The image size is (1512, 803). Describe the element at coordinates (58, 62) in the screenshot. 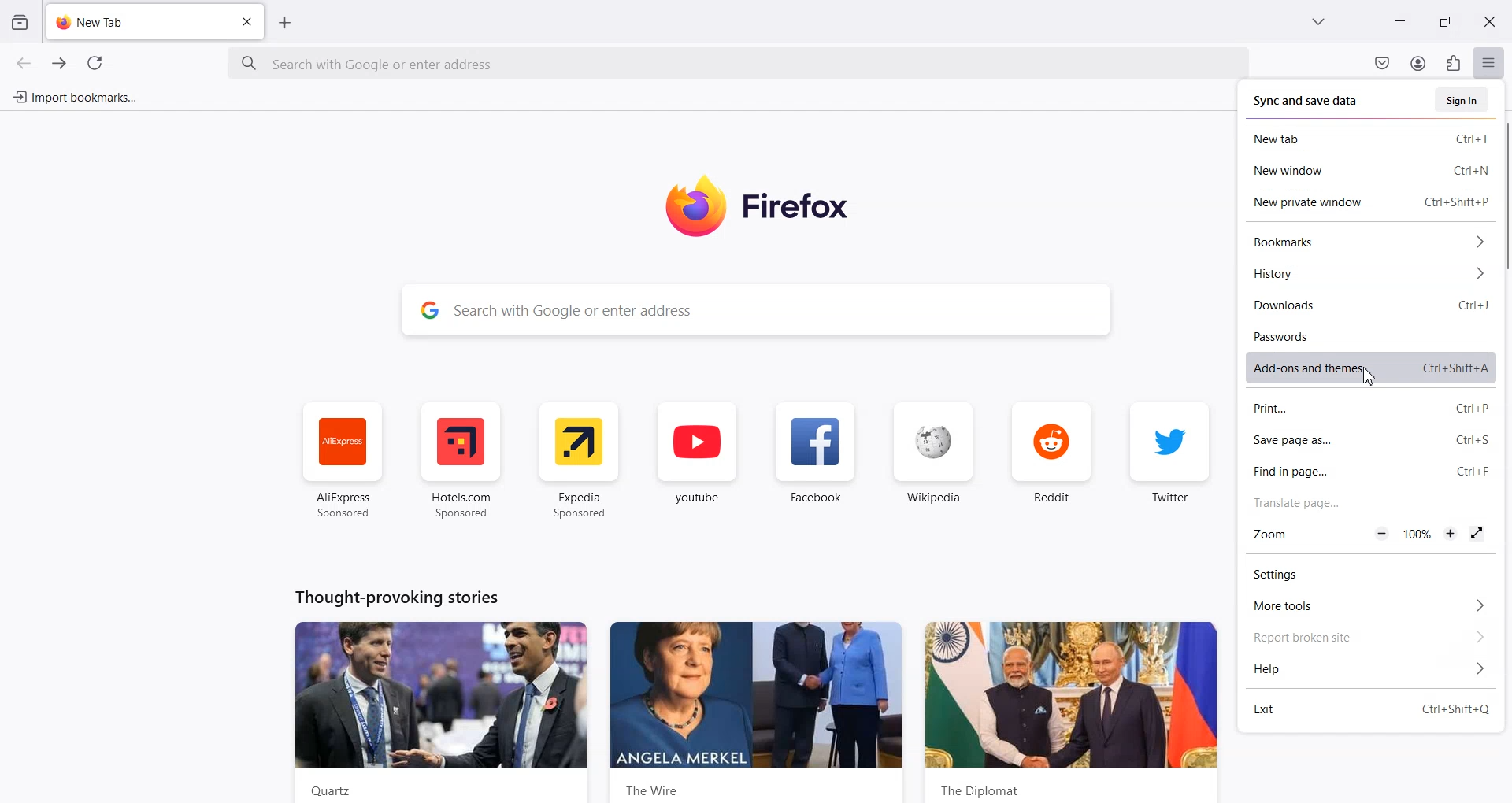

I see `Go forward to one page` at that location.